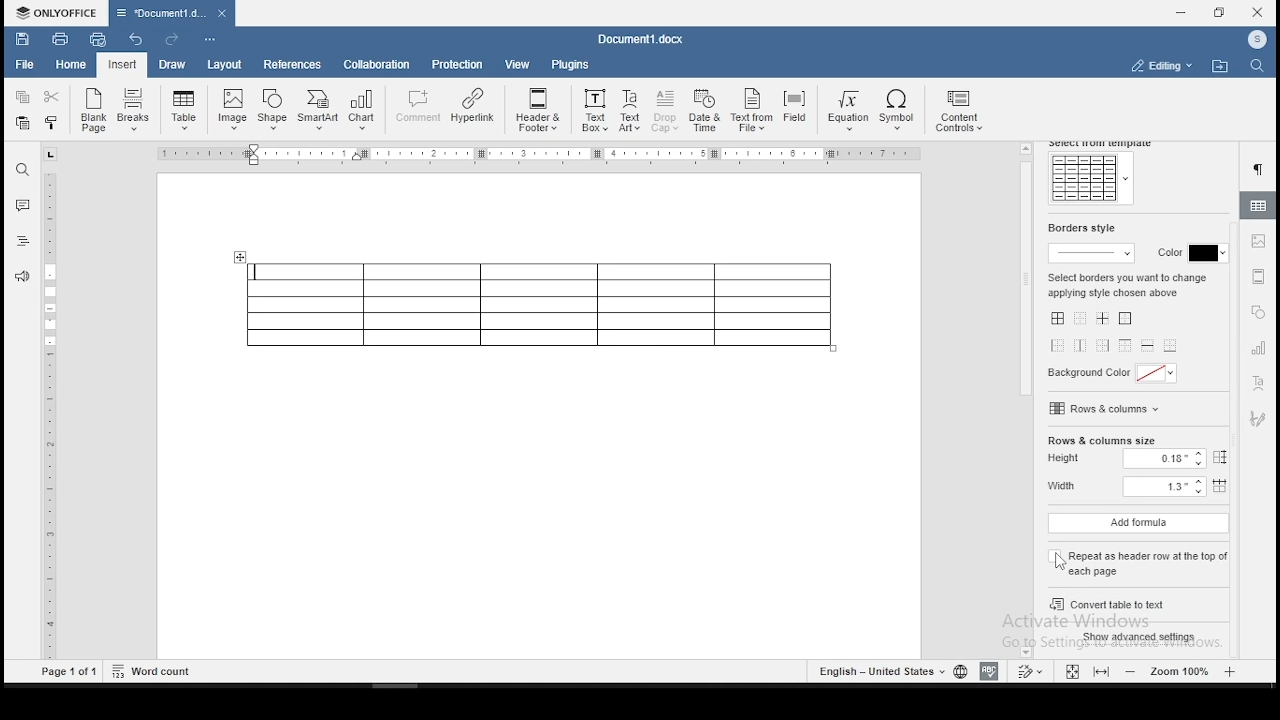 This screenshot has width=1280, height=720. I want to click on SmartArt, so click(317, 110).